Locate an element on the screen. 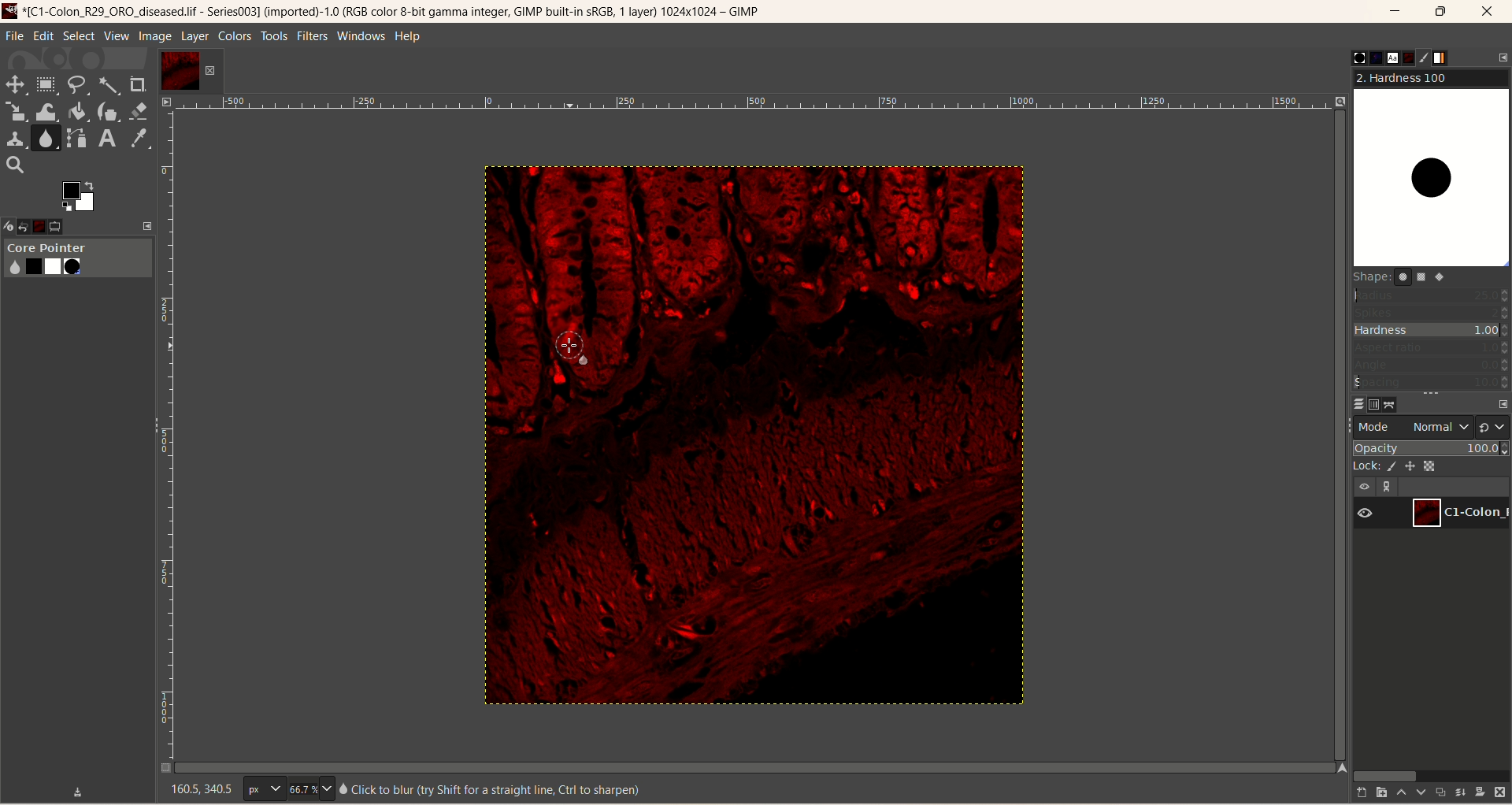 This screenshot has height=805, width=1512. lock position and size is located at coordinates (1416, 465).